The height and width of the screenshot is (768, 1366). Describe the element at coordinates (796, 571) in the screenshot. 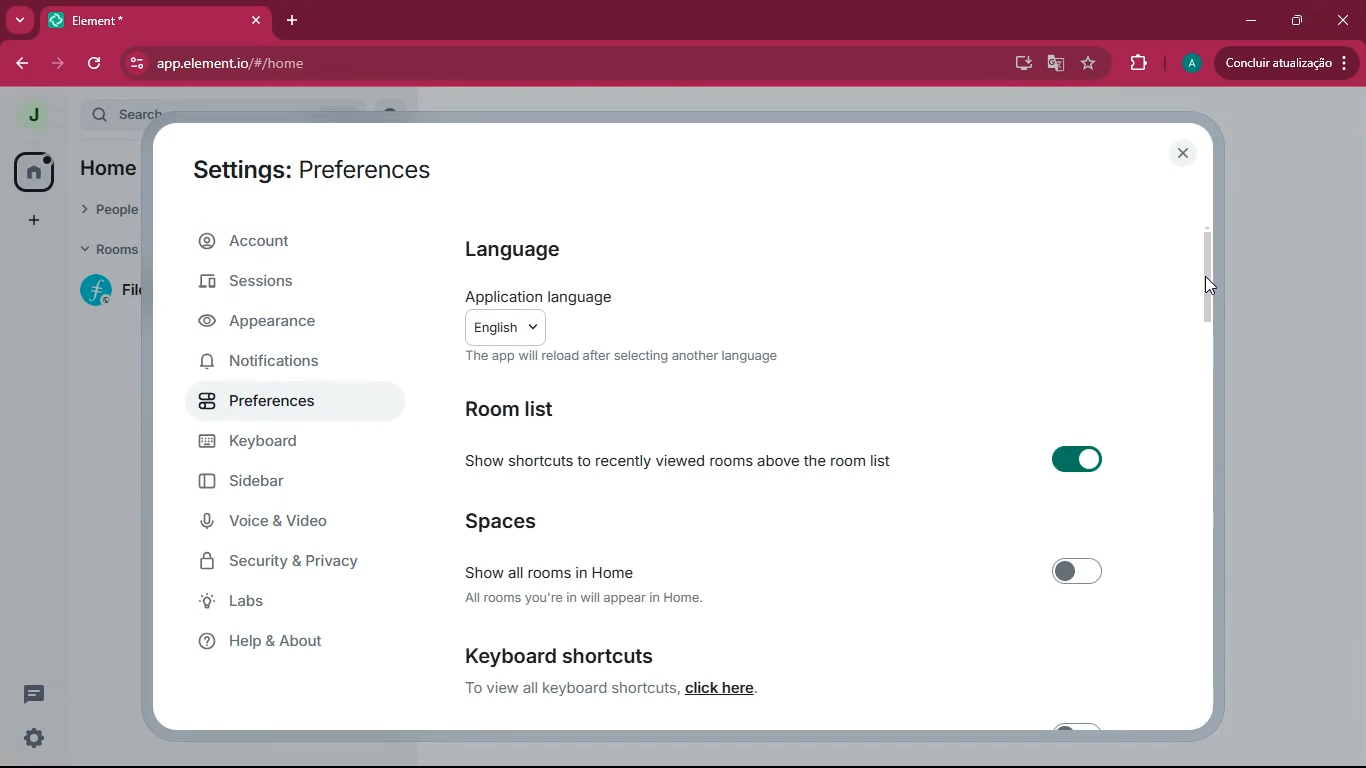

I see `show all rooms` at that location.